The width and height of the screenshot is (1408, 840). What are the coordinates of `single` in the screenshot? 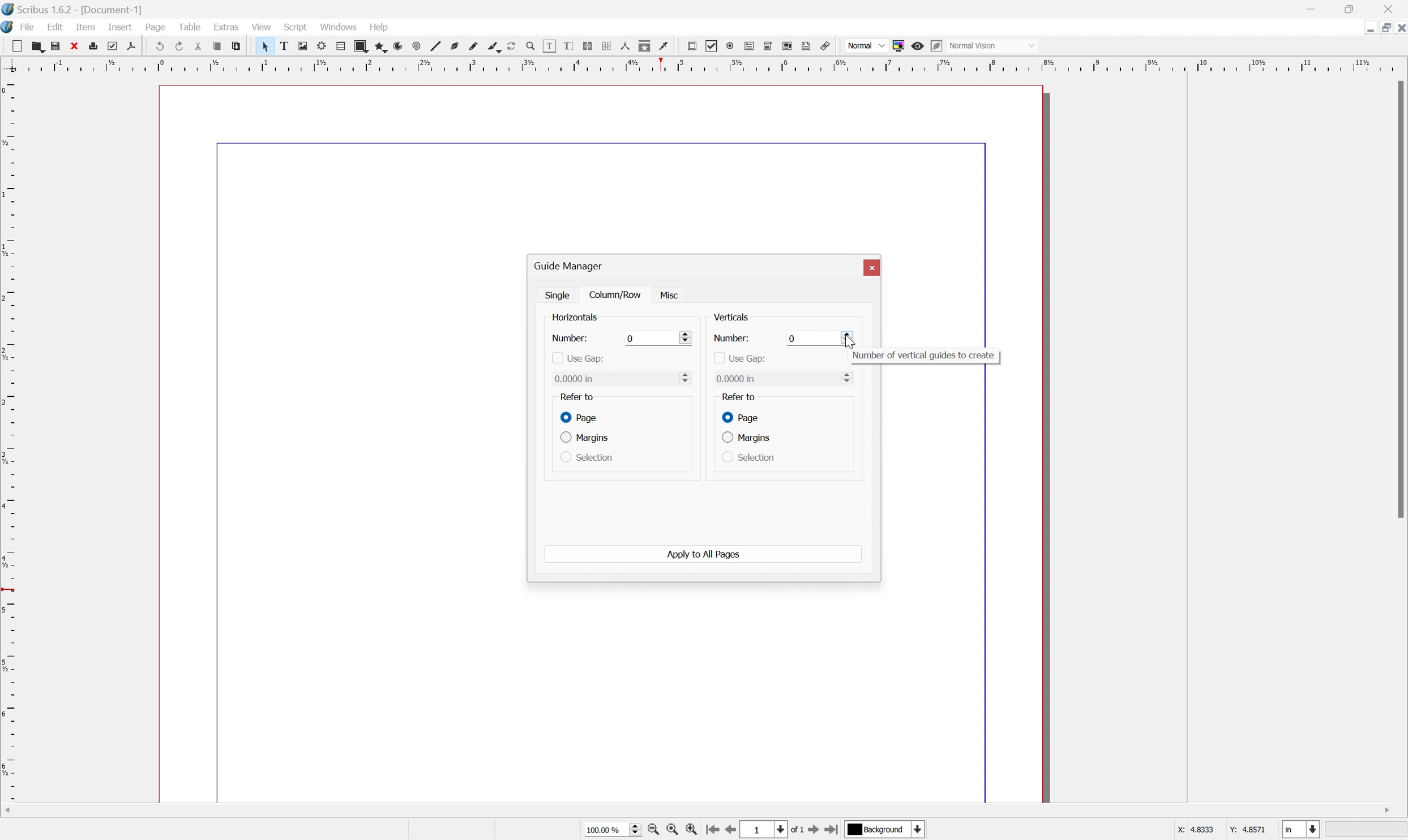 It's located at (559, 294).